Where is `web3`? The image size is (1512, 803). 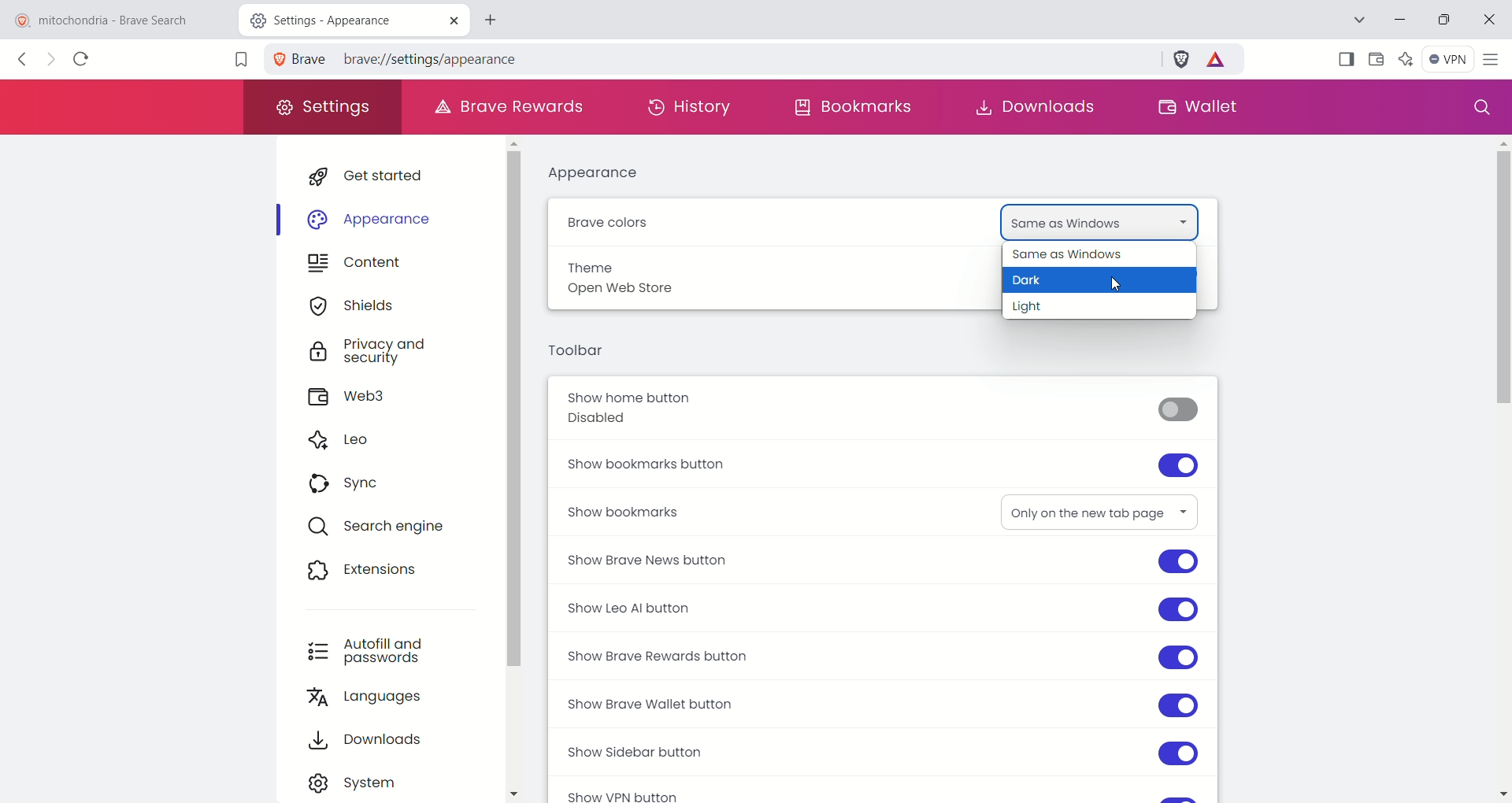 web3 is located at coordinates (363, 398).